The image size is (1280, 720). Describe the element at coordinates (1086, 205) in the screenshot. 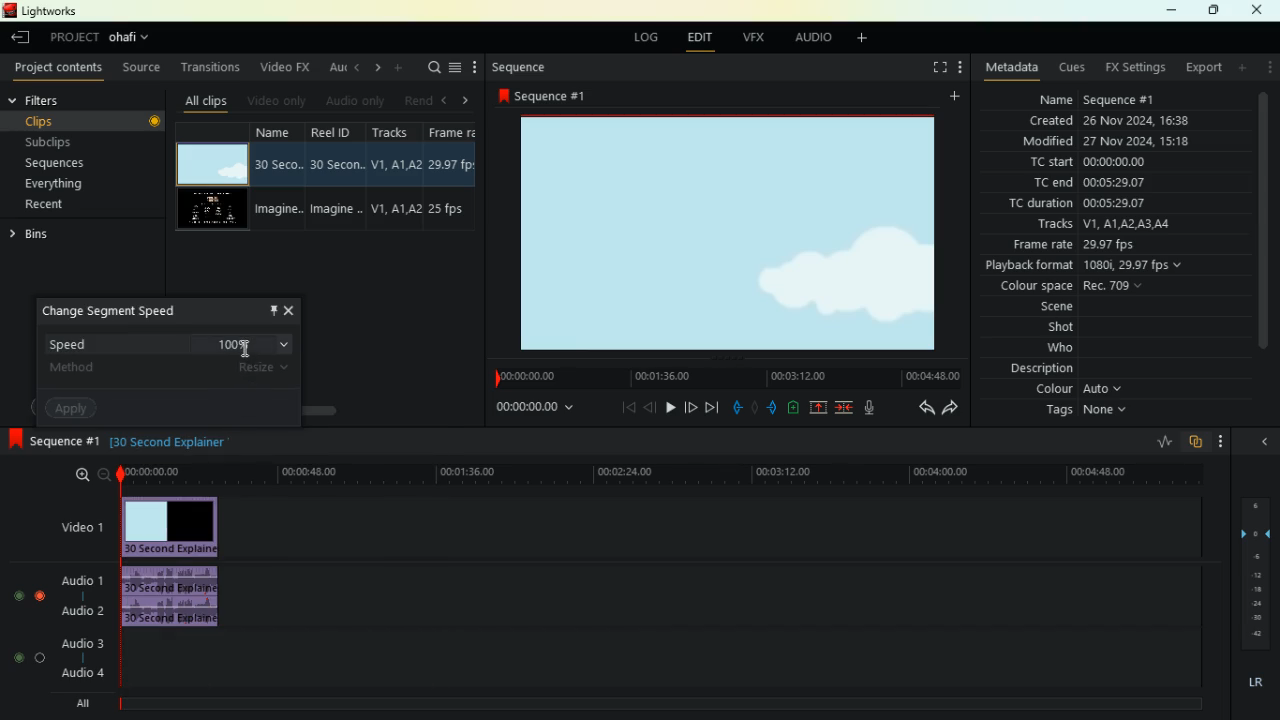

I see `tc duration` at that location.